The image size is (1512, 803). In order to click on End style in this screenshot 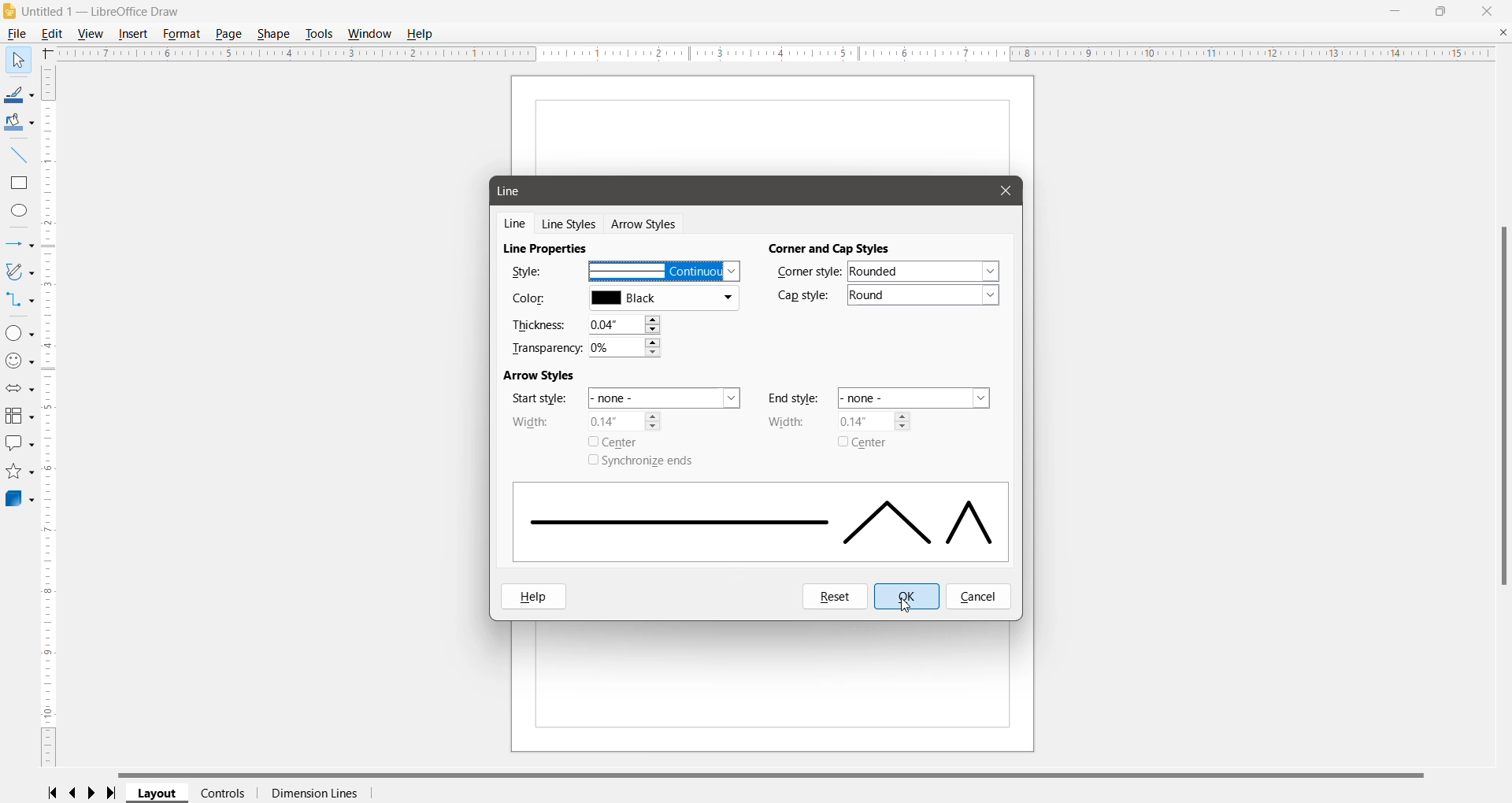, I will do `click(791, 398)`.